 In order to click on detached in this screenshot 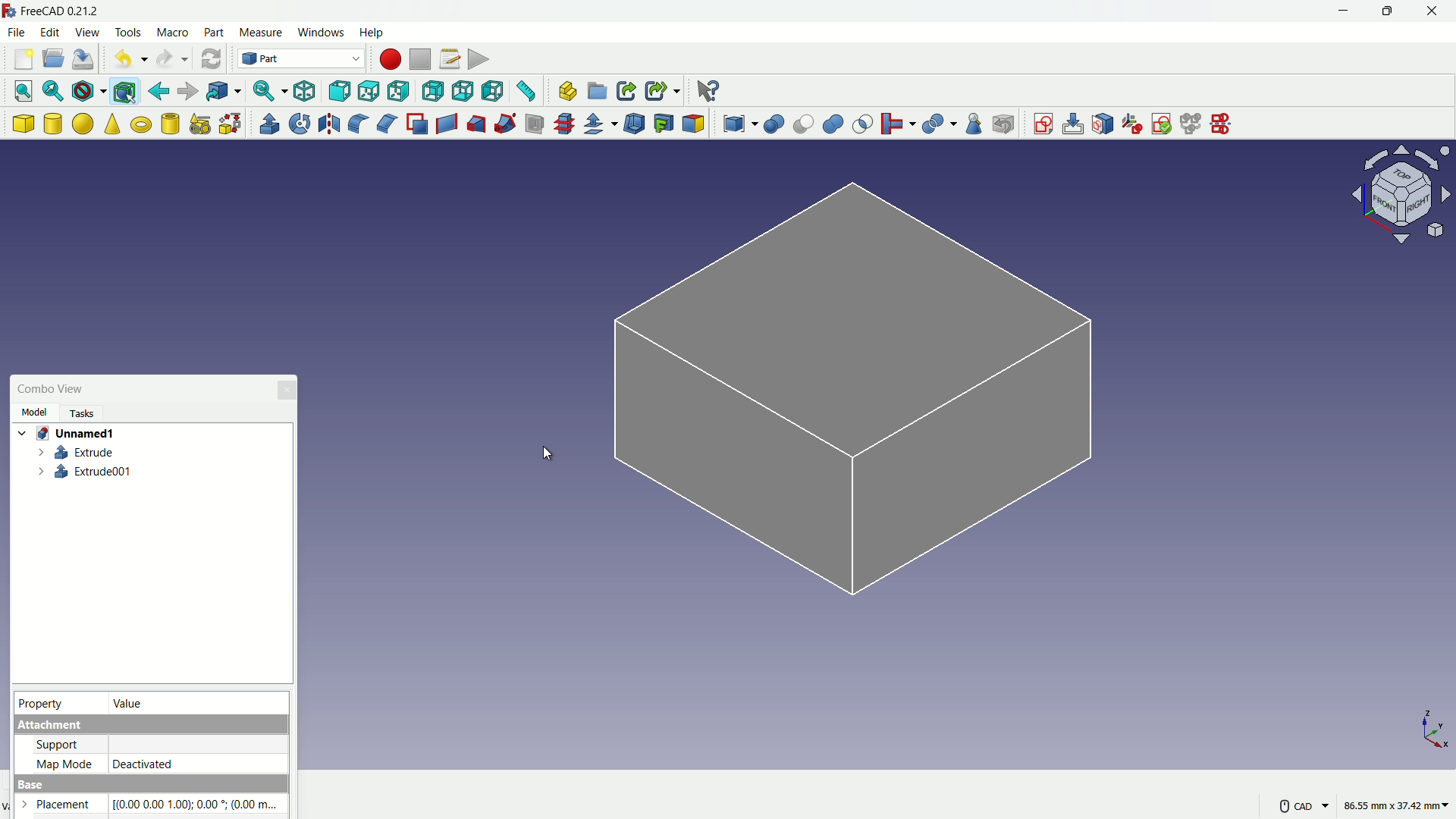, I will do `click(197, 763)`.